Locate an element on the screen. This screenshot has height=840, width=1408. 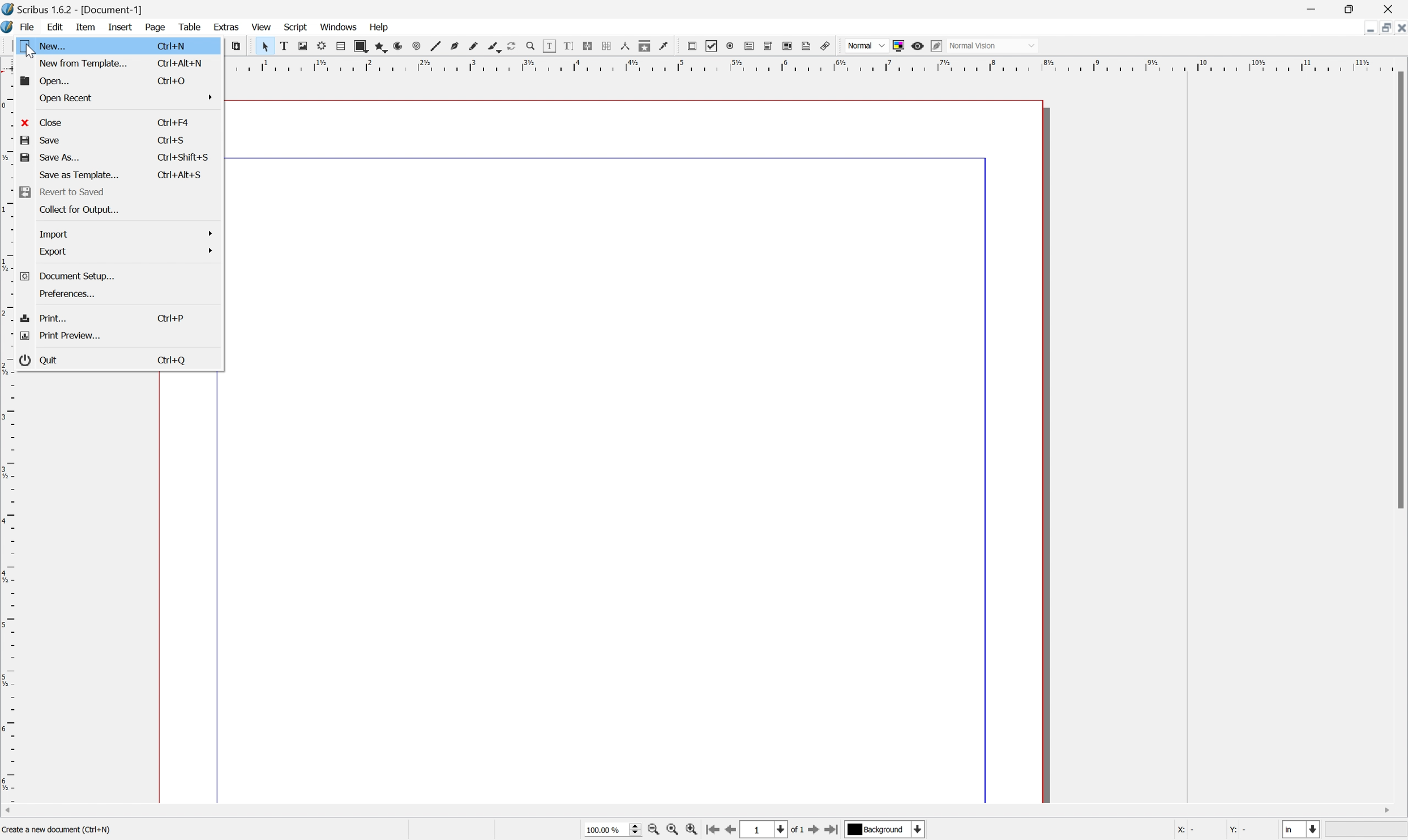
save is located at coordinates (42, 140).